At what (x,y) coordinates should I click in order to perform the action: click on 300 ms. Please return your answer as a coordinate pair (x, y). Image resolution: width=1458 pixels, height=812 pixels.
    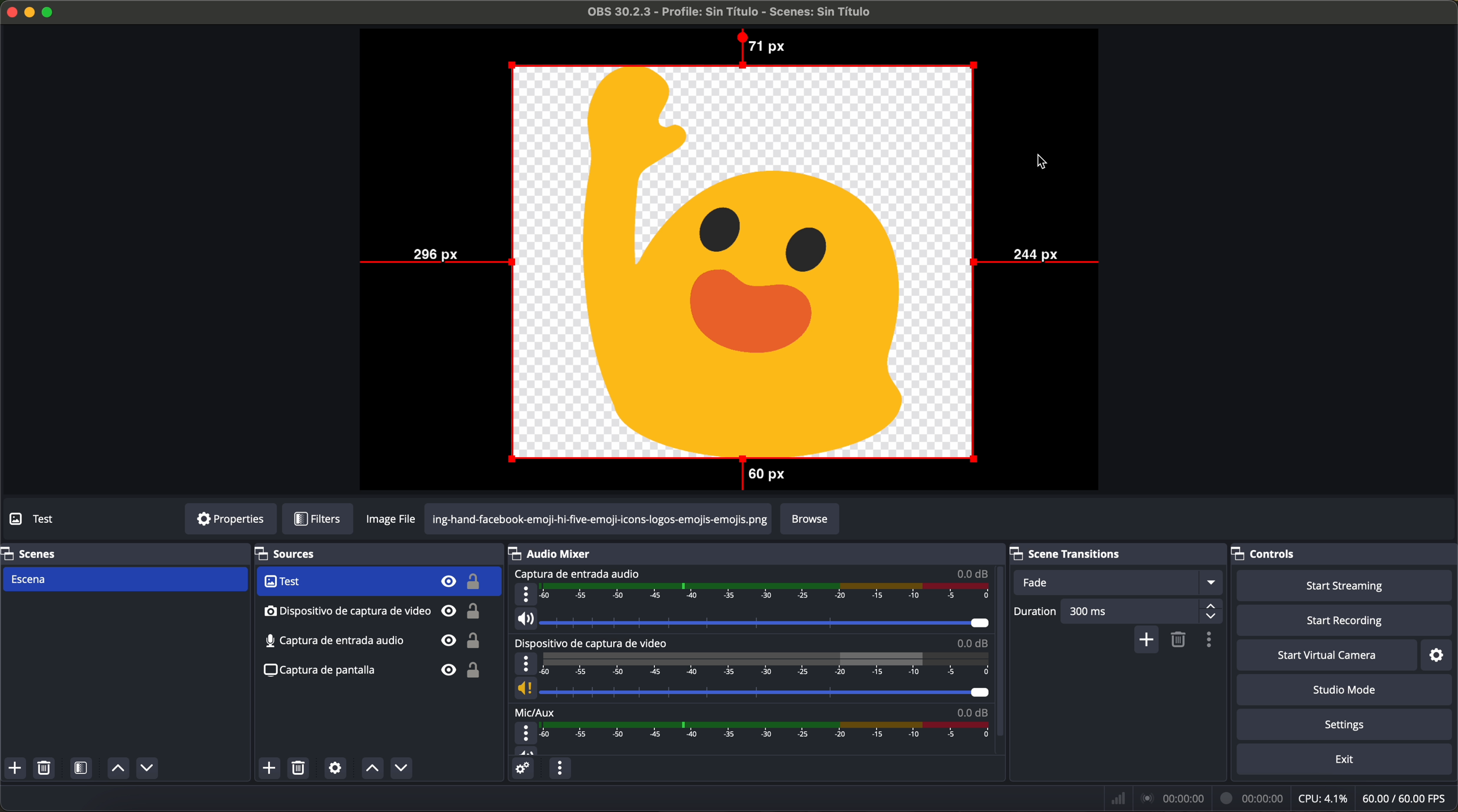
    Looking at the image, I should click on (1143, 611).